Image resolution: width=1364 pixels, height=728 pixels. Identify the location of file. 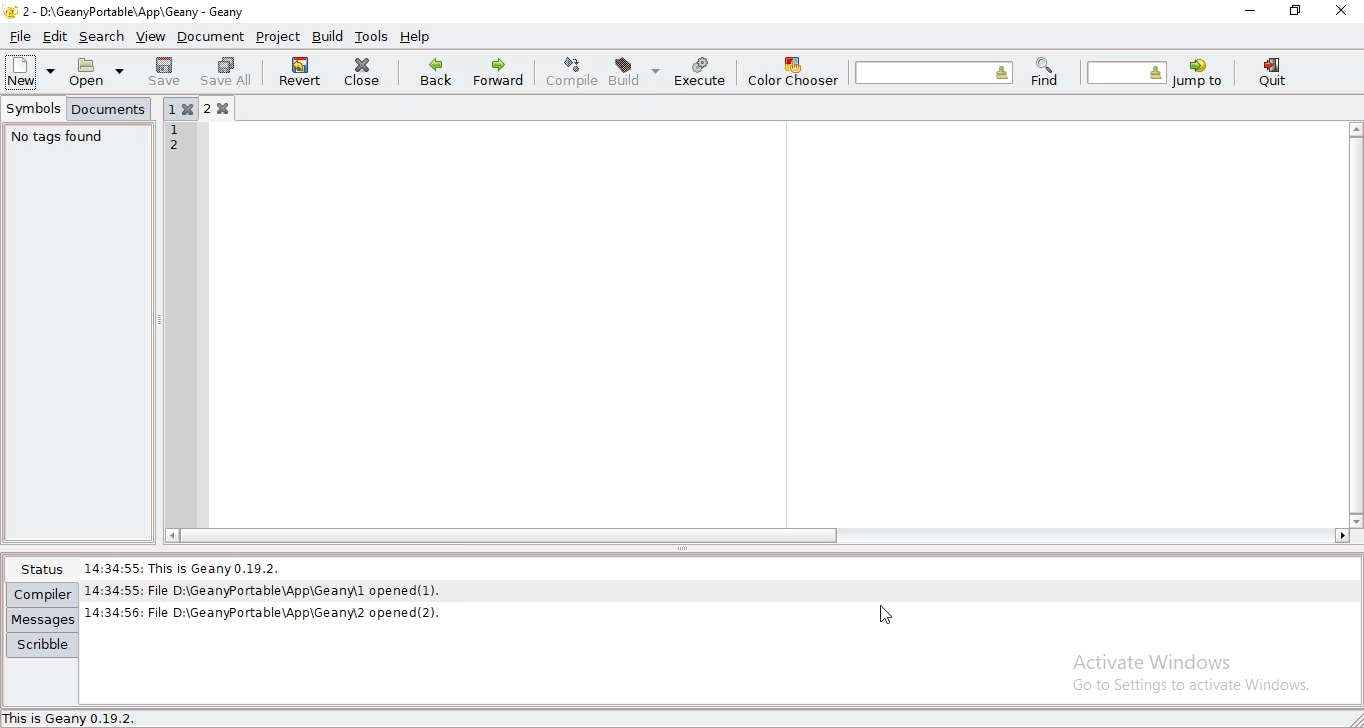
(21, 34).